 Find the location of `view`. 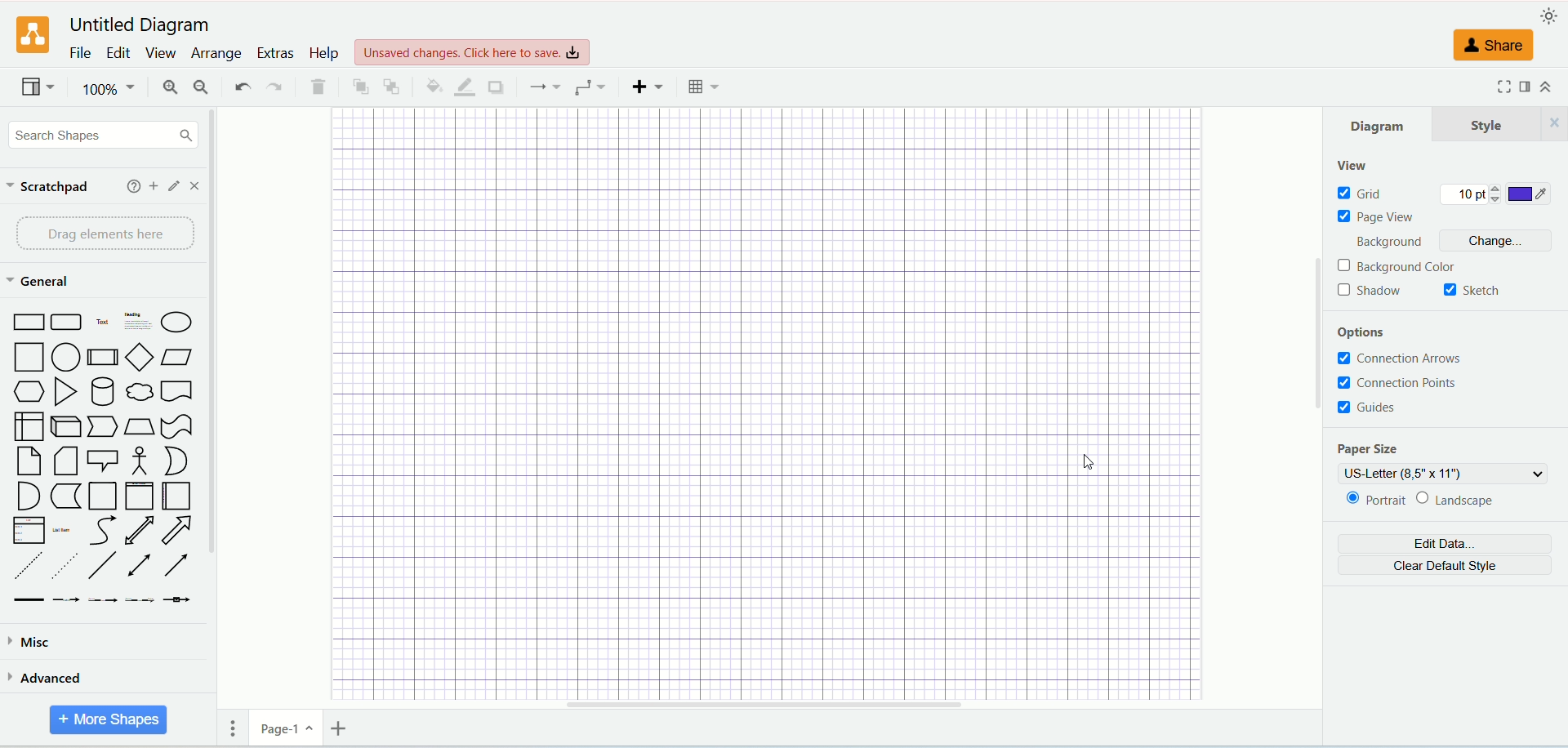

view is located at coordinates (1353, 166).